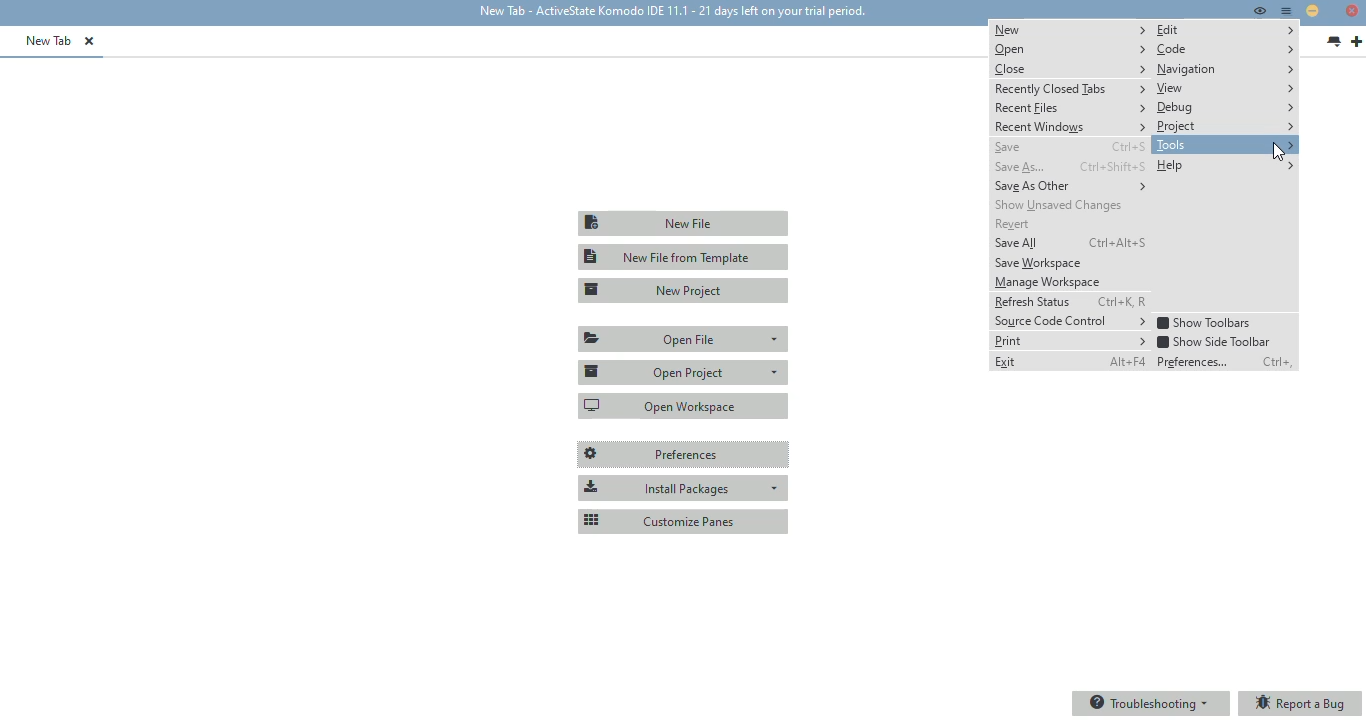 The image size is (1366, 720). I want to click on project, so click(1225, 126).